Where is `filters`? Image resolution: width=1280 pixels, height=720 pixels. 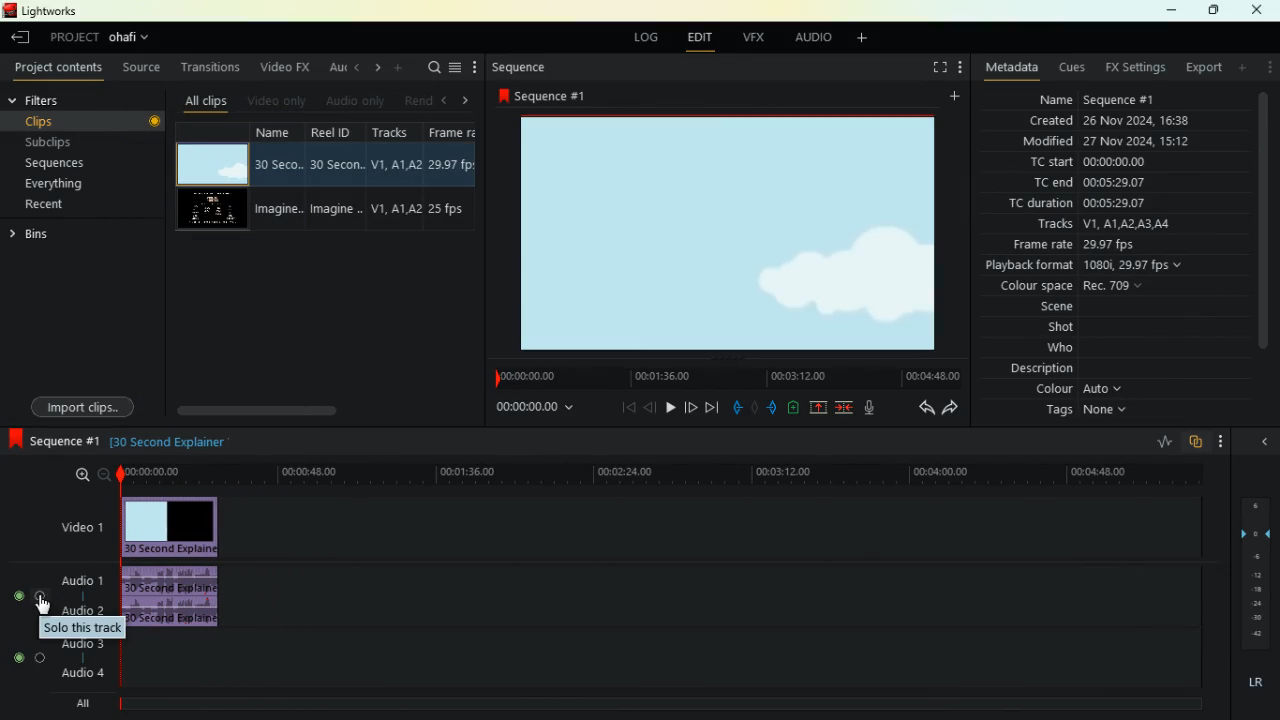
filters is located at coordinates (55, 98).